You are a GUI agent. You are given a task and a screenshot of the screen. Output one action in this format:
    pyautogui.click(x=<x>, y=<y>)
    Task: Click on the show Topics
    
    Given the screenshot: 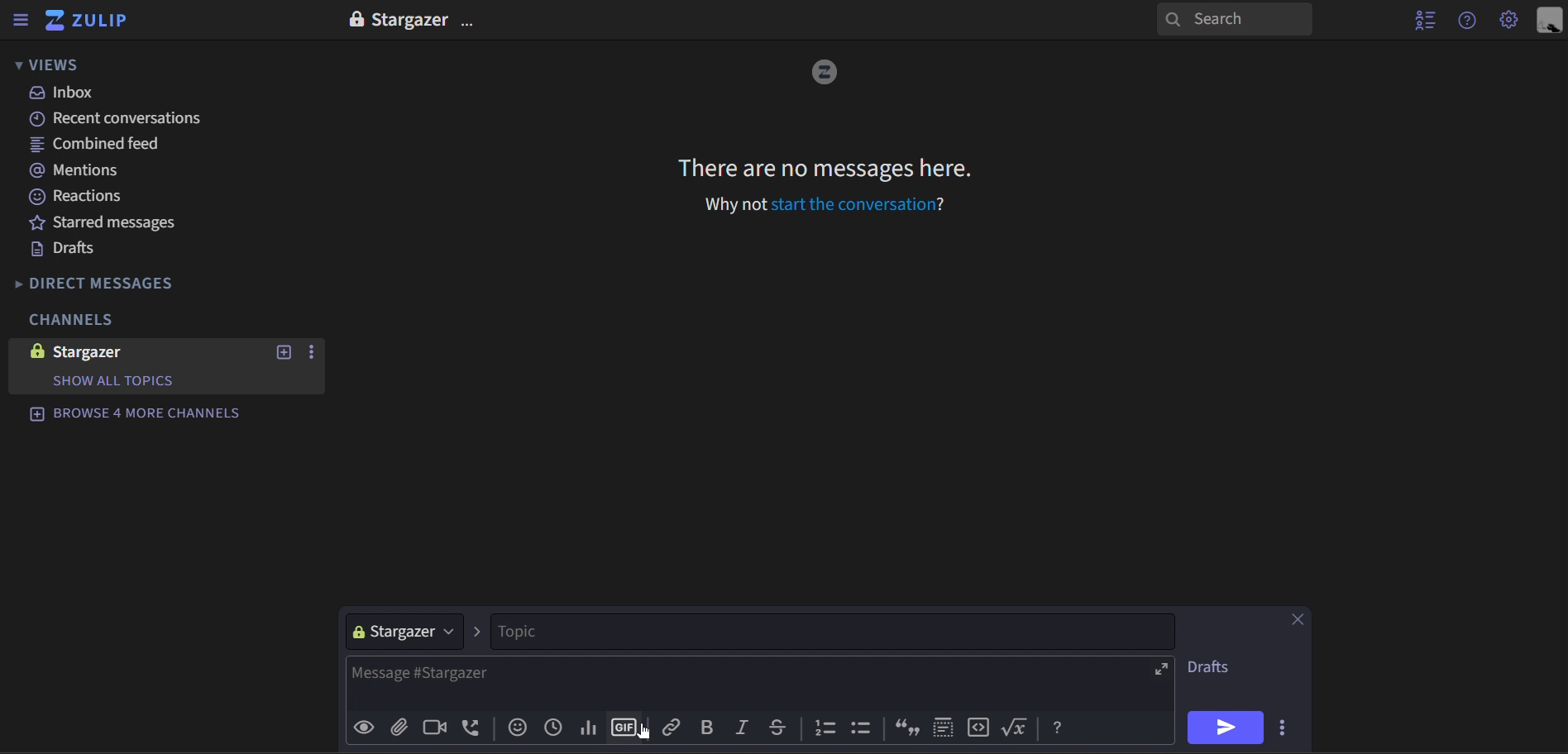 What is the action you would take?
    pyautogui.click(x=118, y=381)
    